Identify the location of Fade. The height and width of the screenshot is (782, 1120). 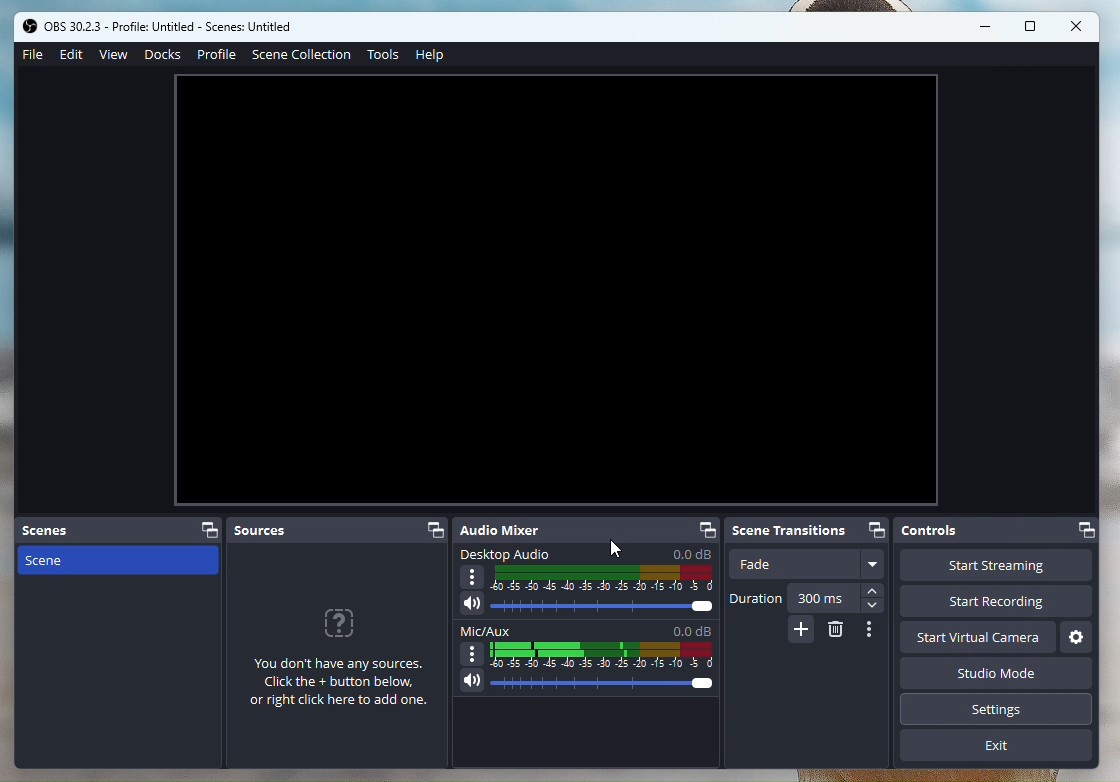
(806, 564).